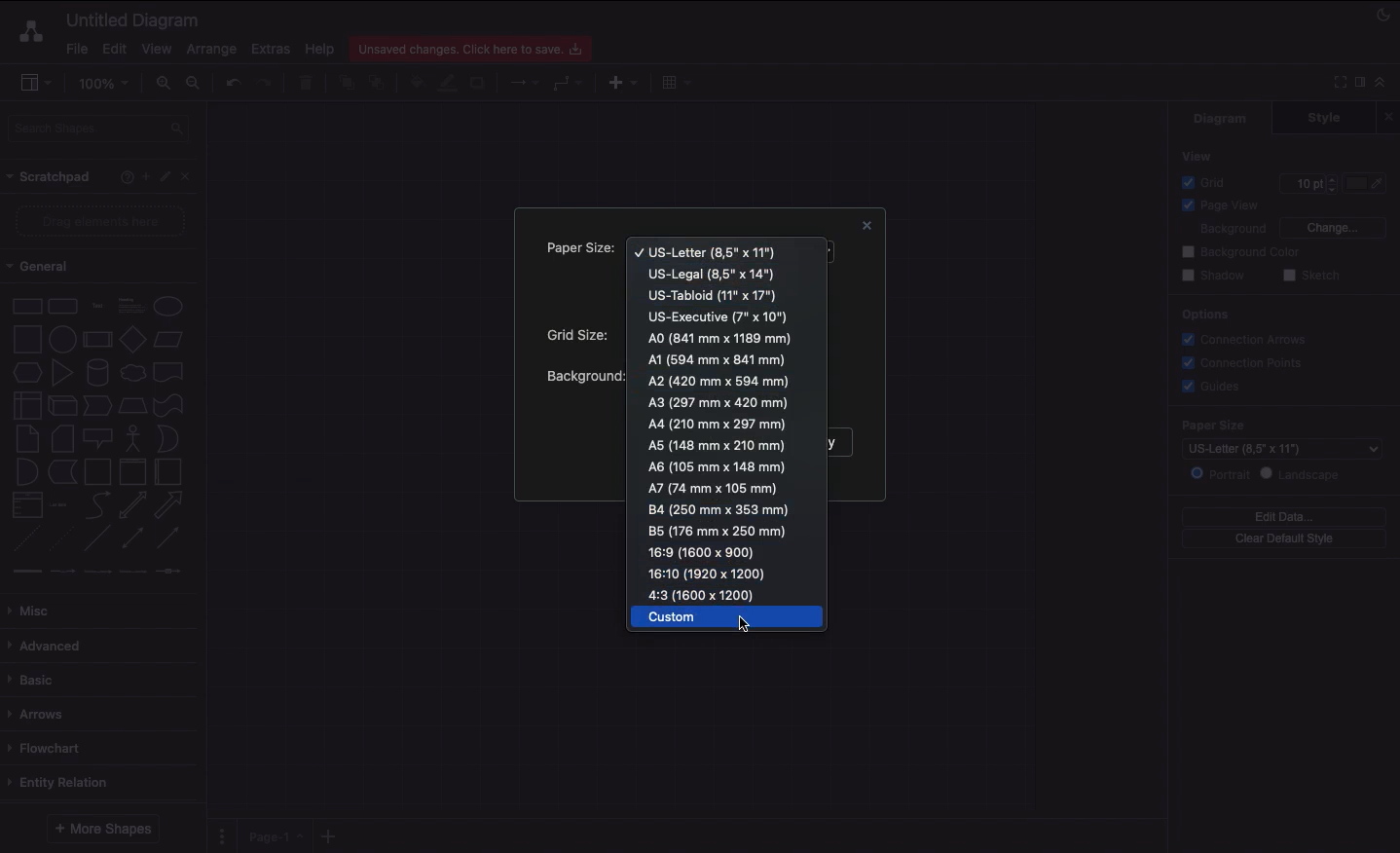  I want to click on A5, so click(718, 446).